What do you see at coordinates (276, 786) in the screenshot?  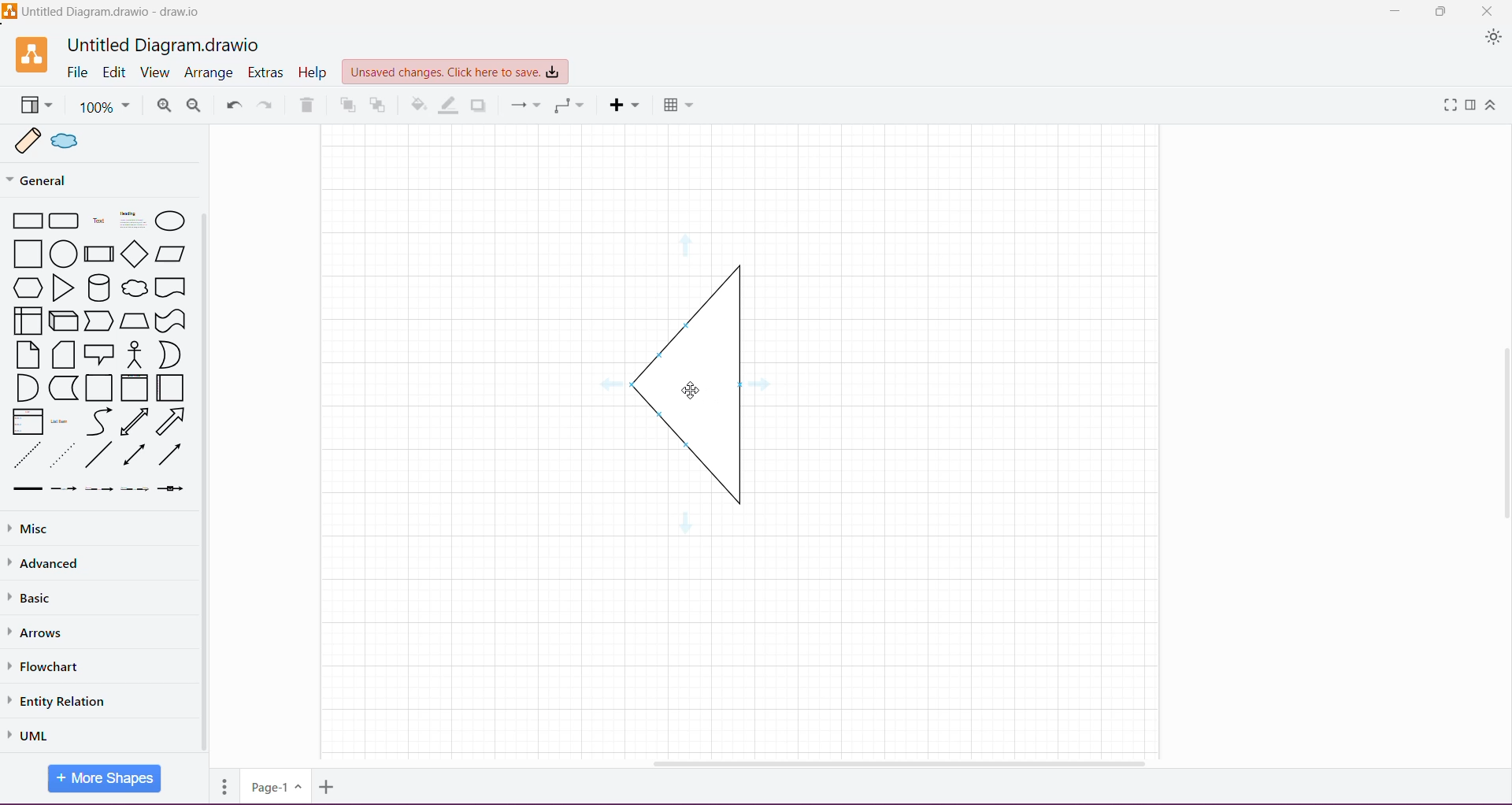 I see `Page-1` at bounding box center [276, 786].